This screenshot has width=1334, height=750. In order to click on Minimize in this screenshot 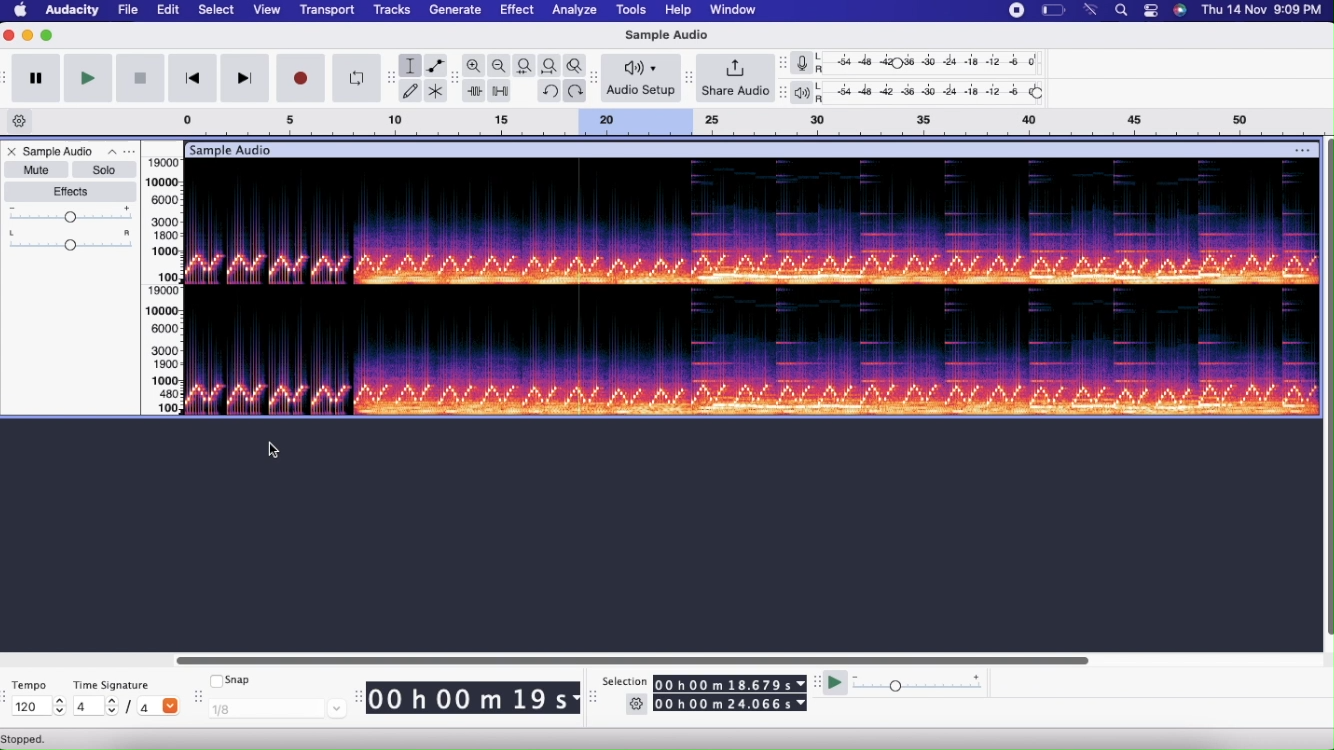, I will do `click(29, 36)`.